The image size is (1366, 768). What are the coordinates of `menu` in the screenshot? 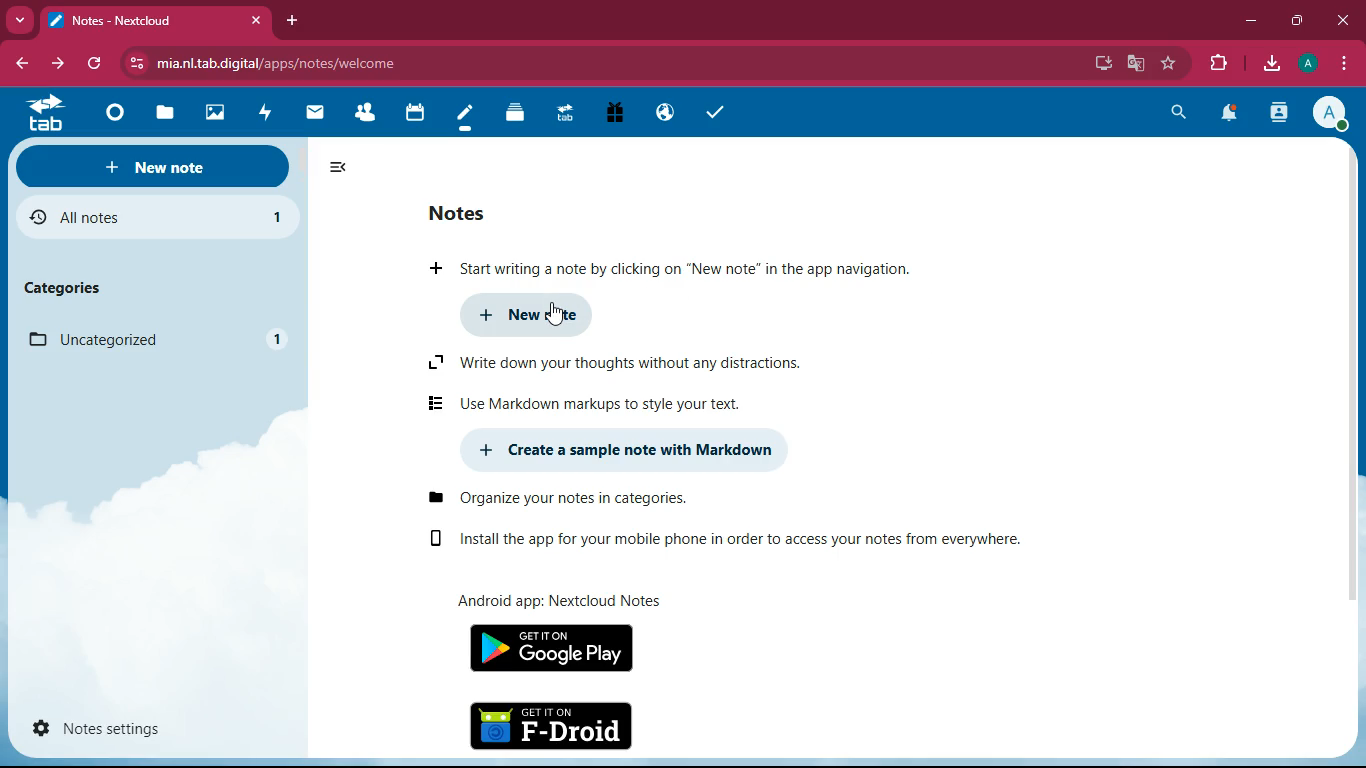 It's located at (1340, 61).